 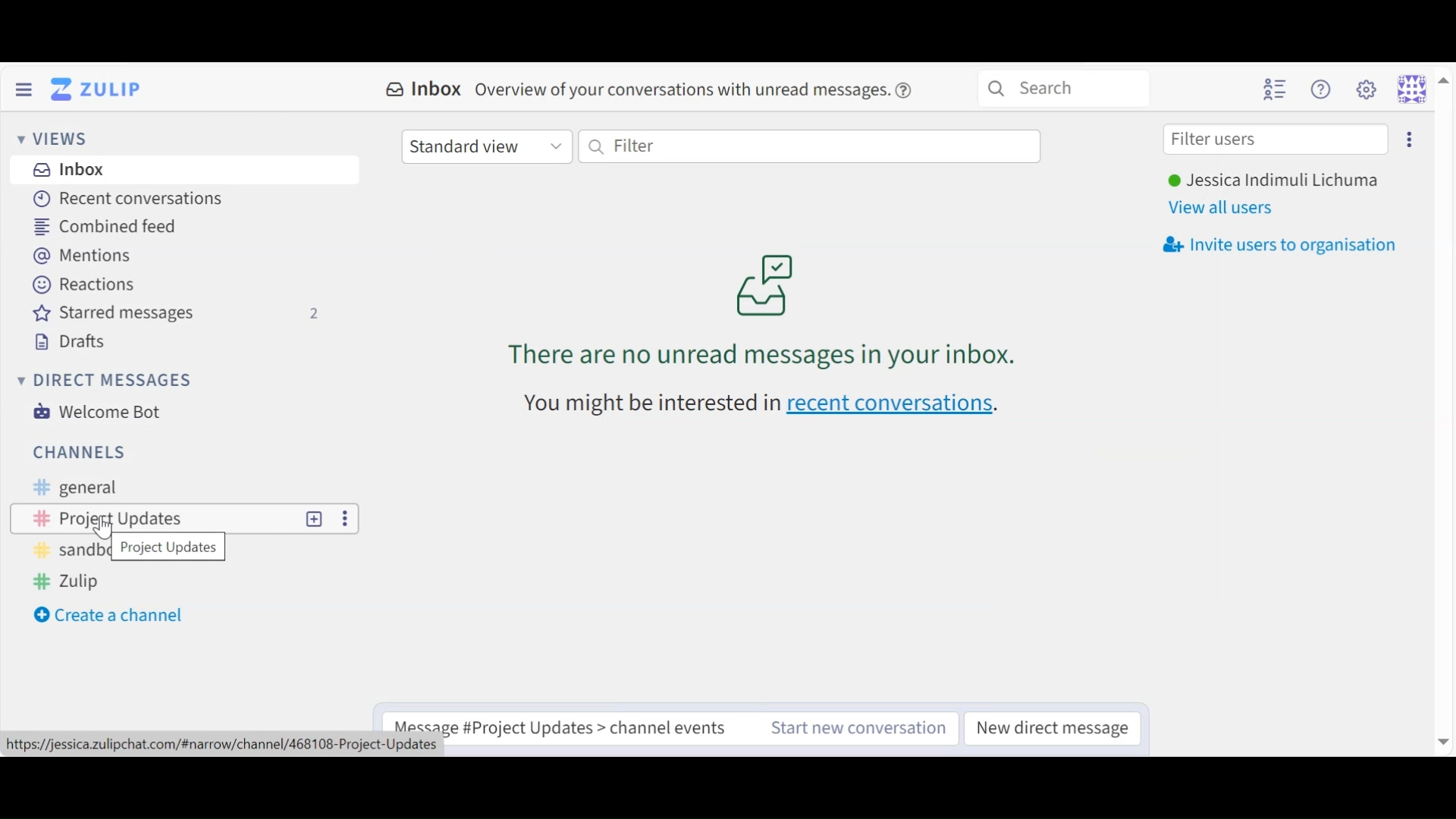 What do you see at coordinates (682, 91) in the screenshot?
I see `overview of conversations` at bounding box center [682, 91].